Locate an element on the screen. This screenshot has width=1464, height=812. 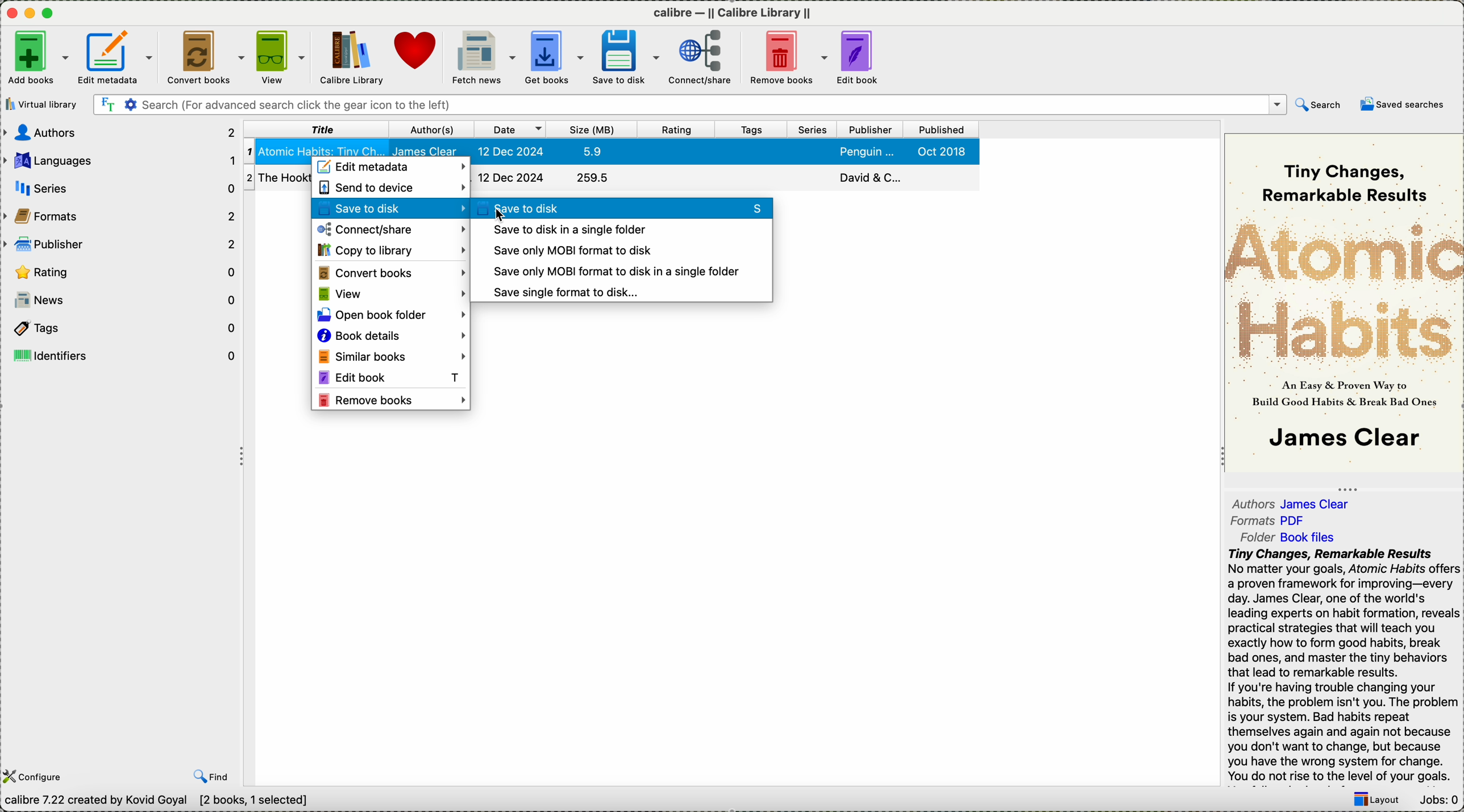
convert books is located at coordinates (204, 55).